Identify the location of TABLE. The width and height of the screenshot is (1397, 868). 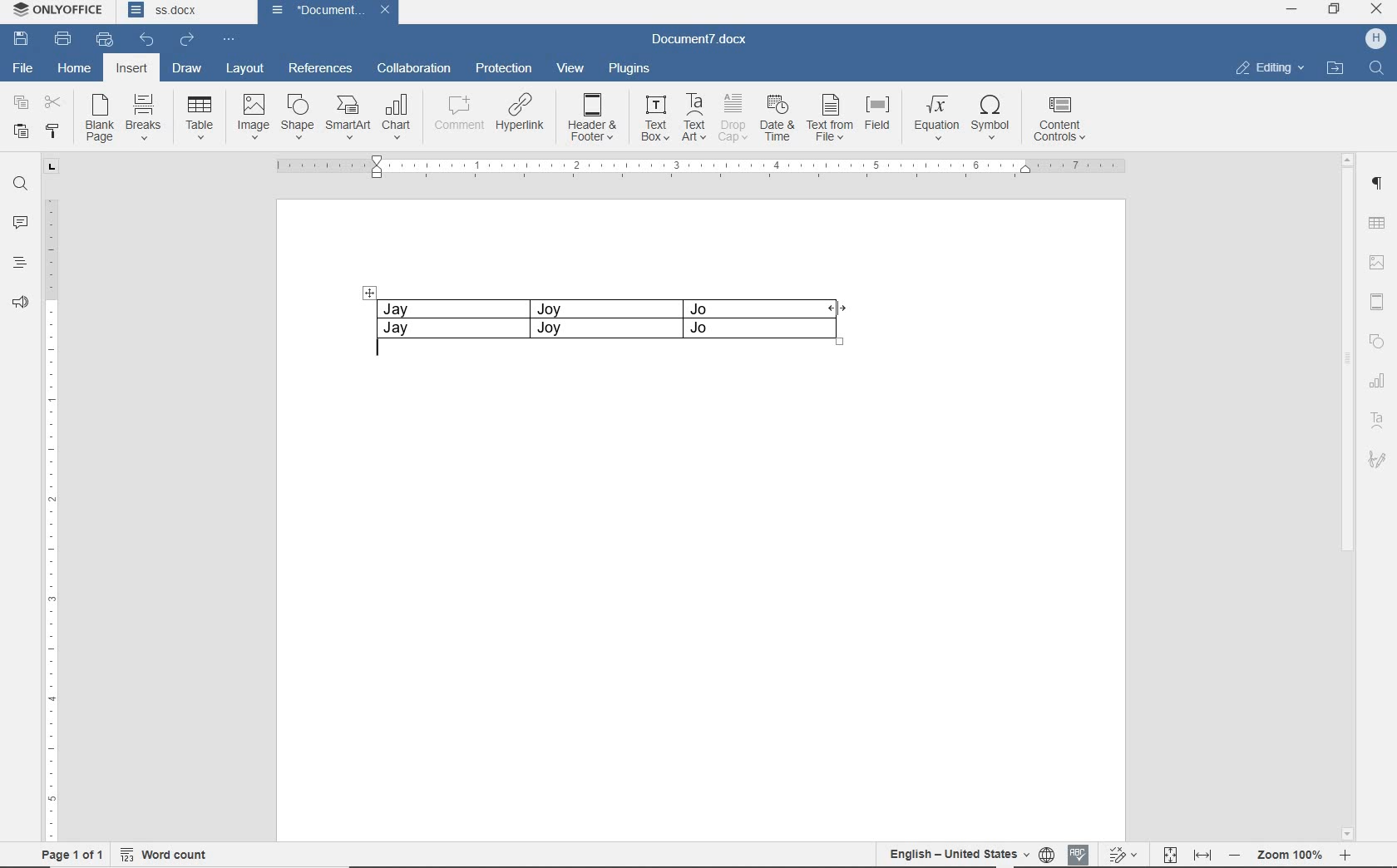
(200, 118).